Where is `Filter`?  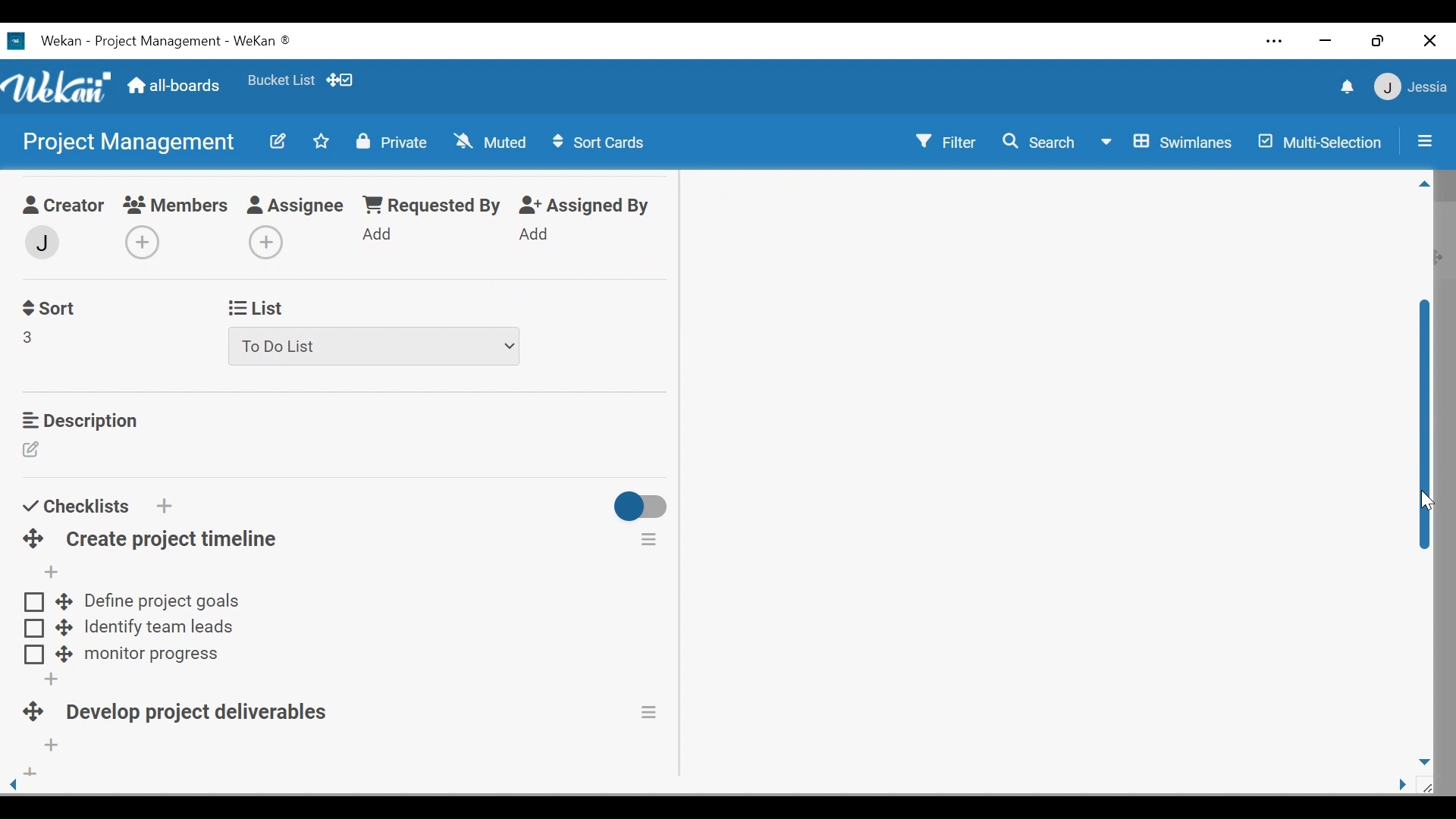
Filter is located at coordinates (946, 140).